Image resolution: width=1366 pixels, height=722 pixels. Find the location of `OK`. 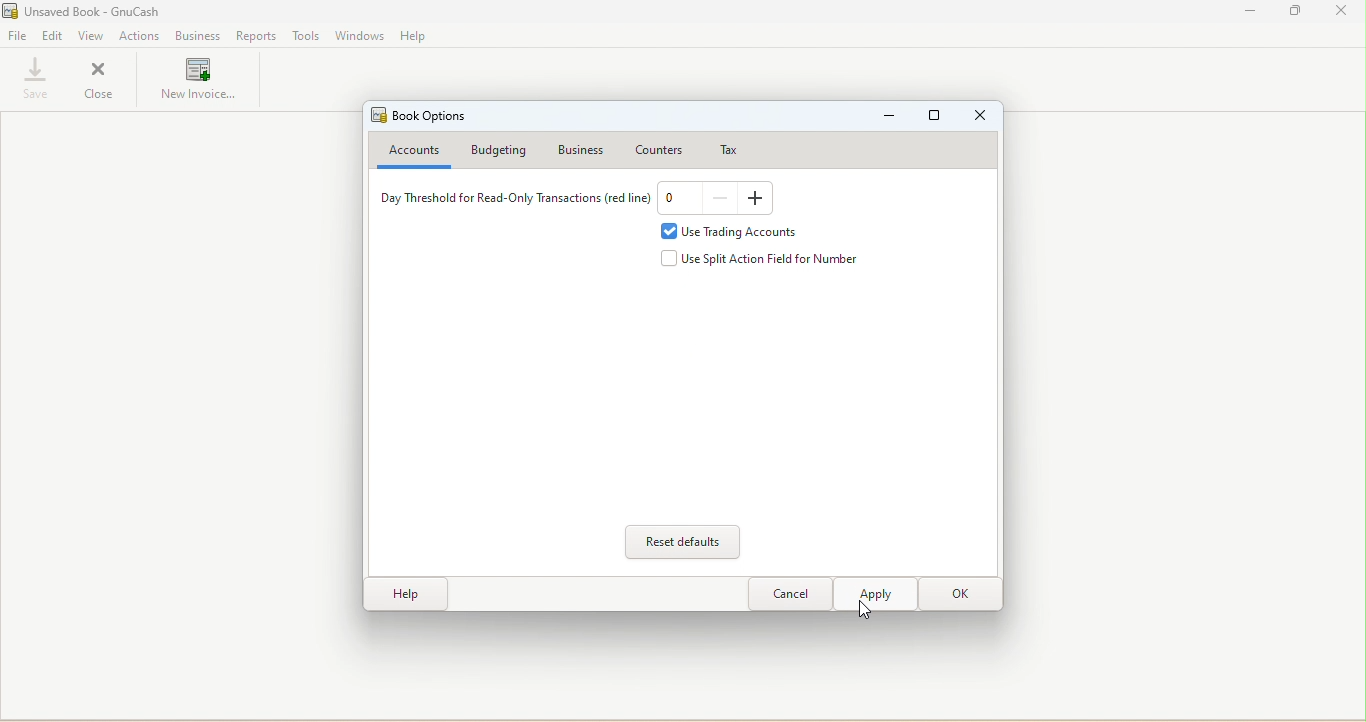

OK is located at coordinates (959, 594).